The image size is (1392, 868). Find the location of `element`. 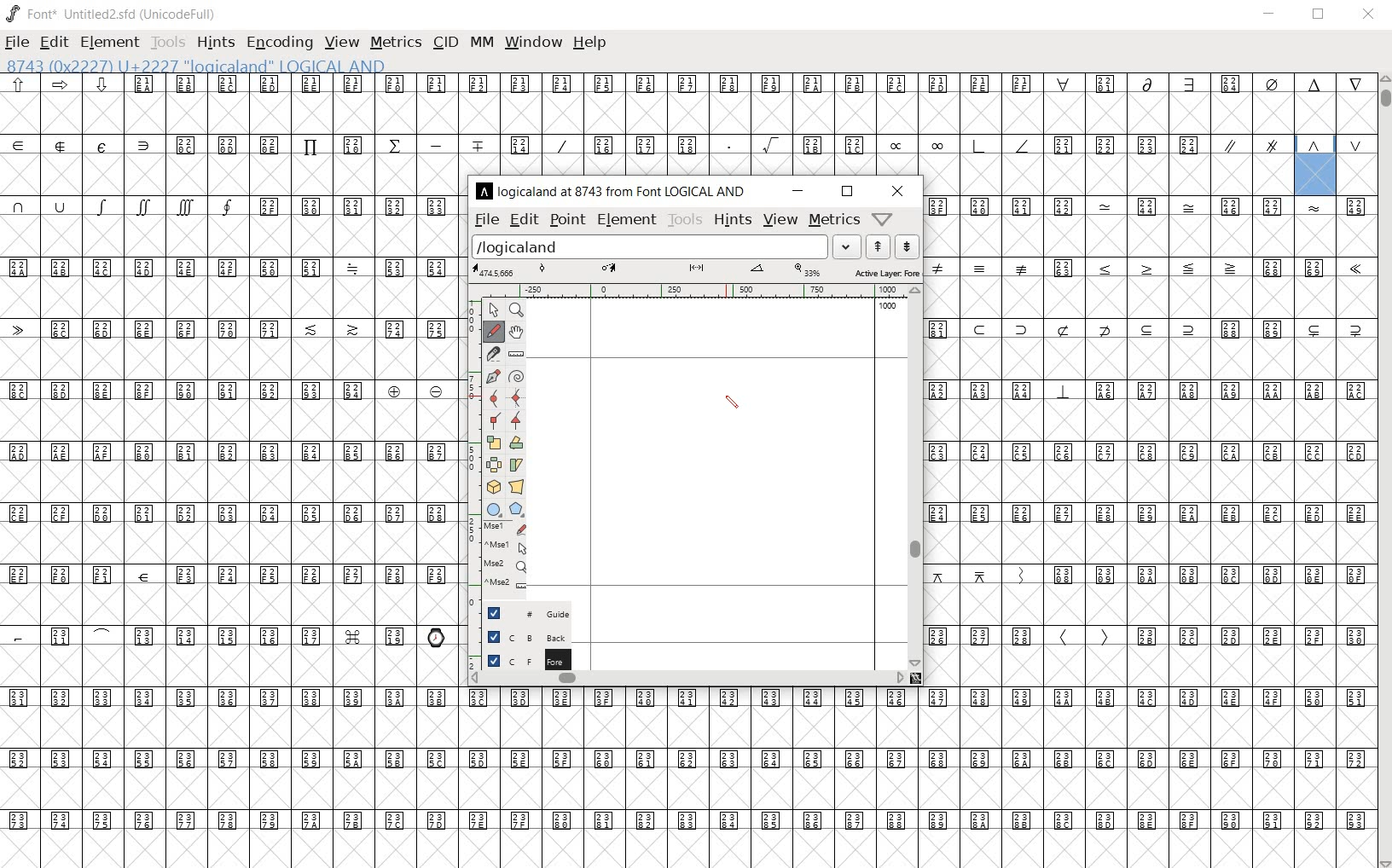

element is located at coordinates (627, 219).